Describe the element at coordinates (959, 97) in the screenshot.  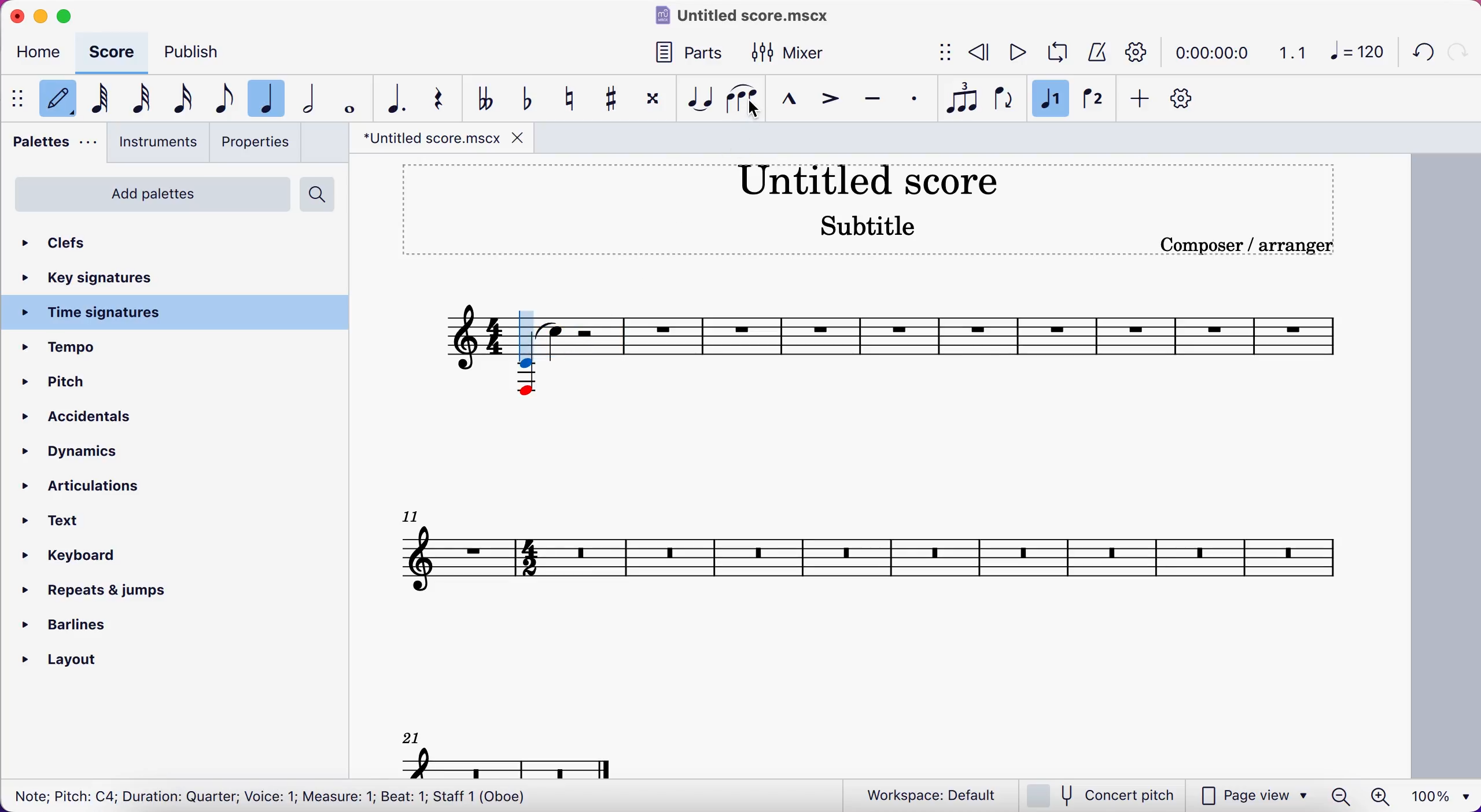
I see `tuples` at that location.